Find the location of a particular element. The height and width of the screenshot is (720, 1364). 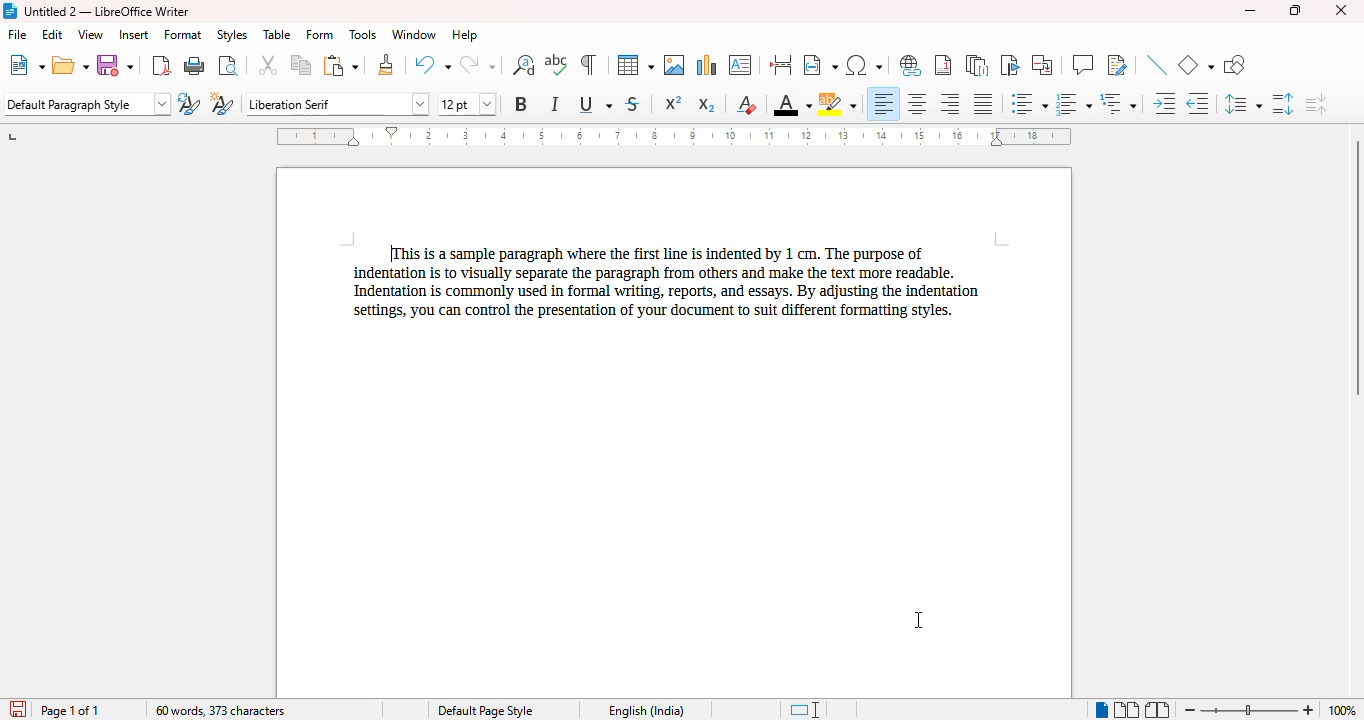

superscript is located at coordinates (673, 102).